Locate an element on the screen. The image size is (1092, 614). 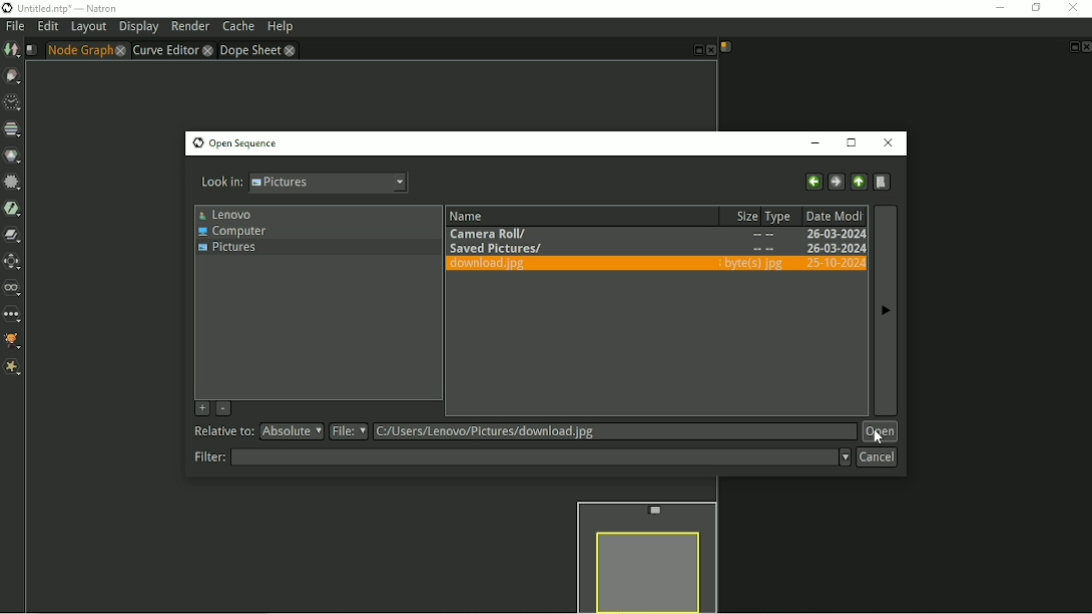
Close is located at coordinates (710, 51).